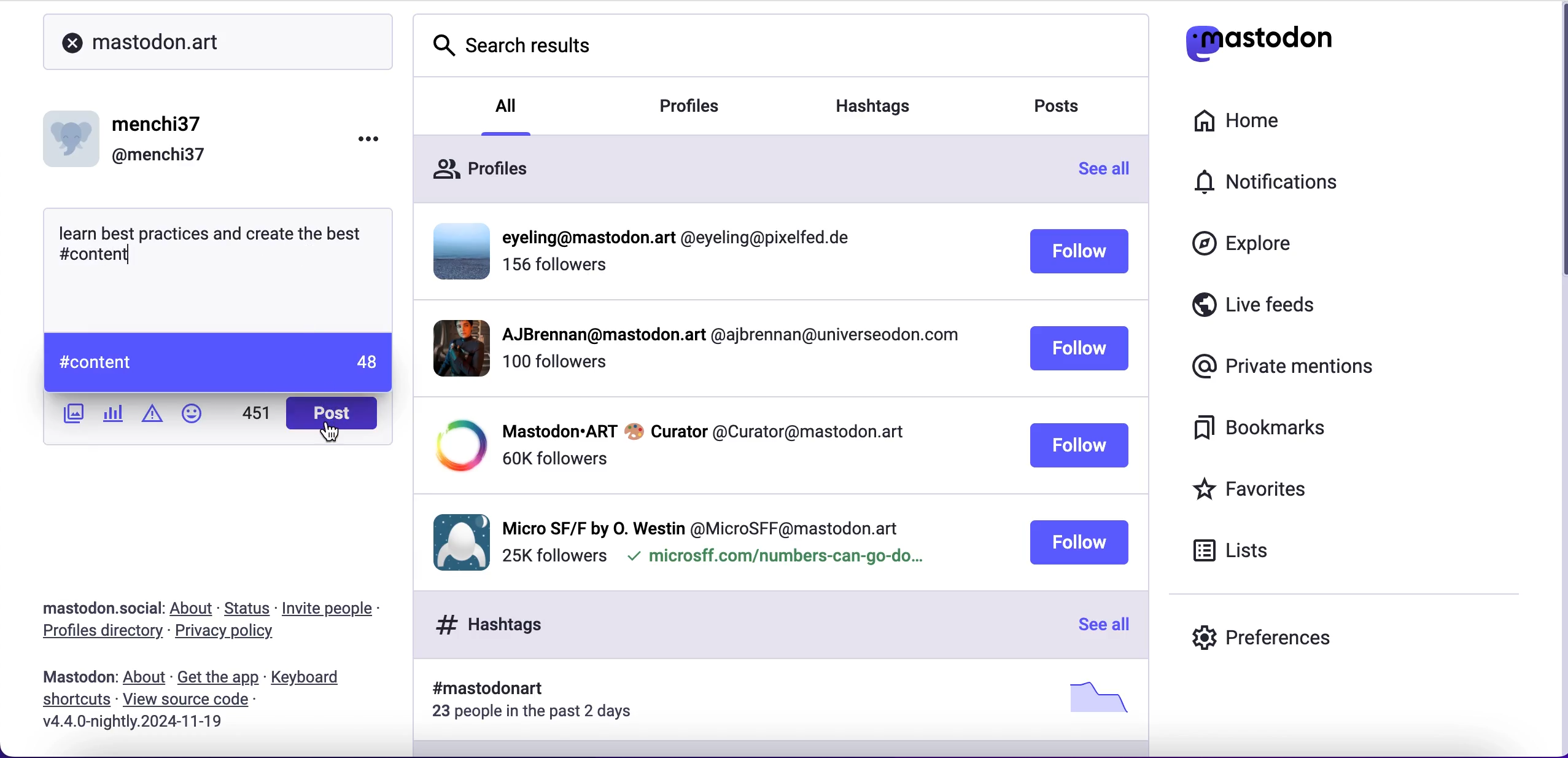 This screenshot has width=1568, height=758. What do you see at coordinates (248, 608) in the screenshot?
I see `status` at bounding box center [248, 608].